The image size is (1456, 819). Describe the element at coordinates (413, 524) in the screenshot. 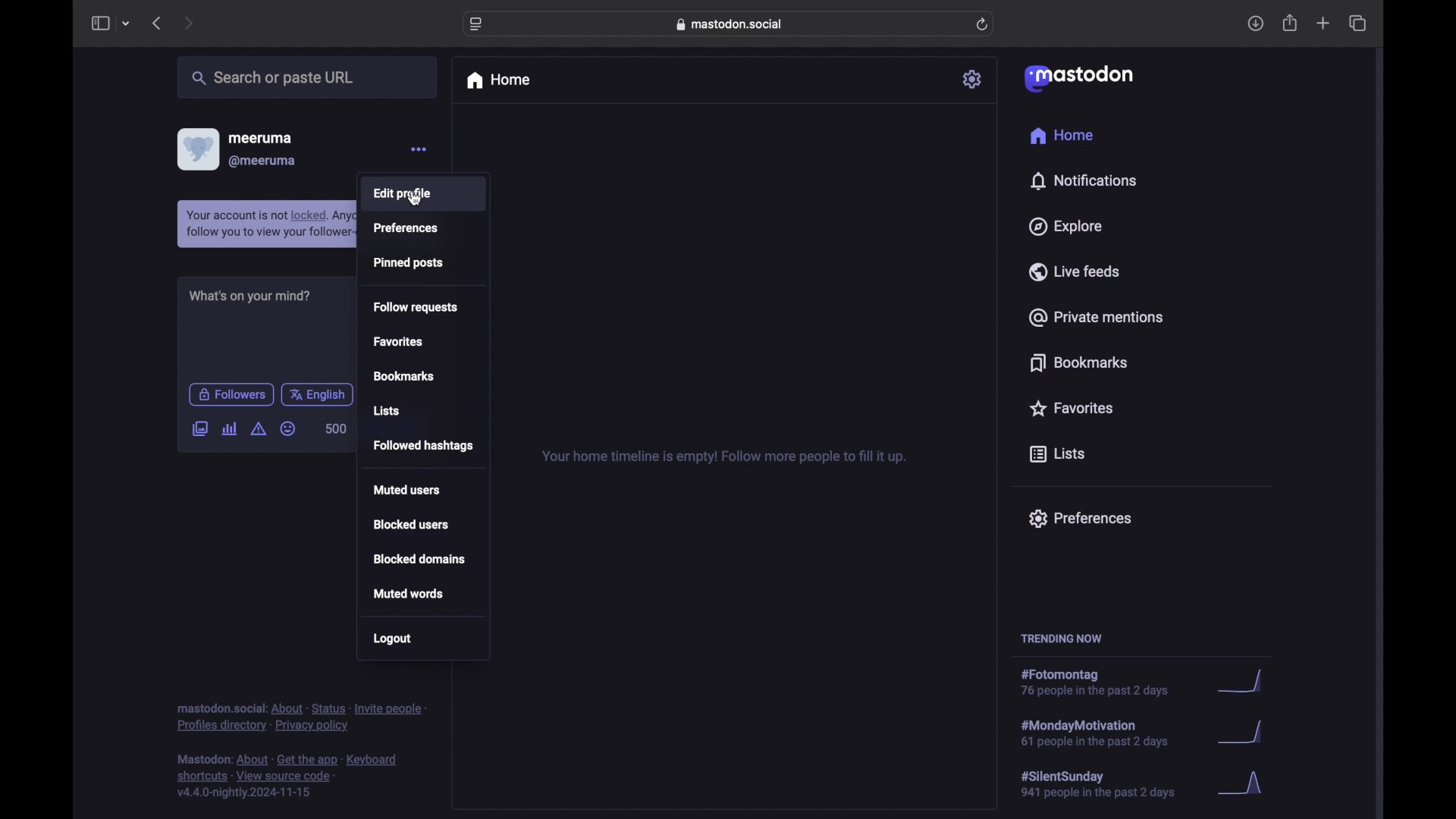

I see `blocked users` at that location.